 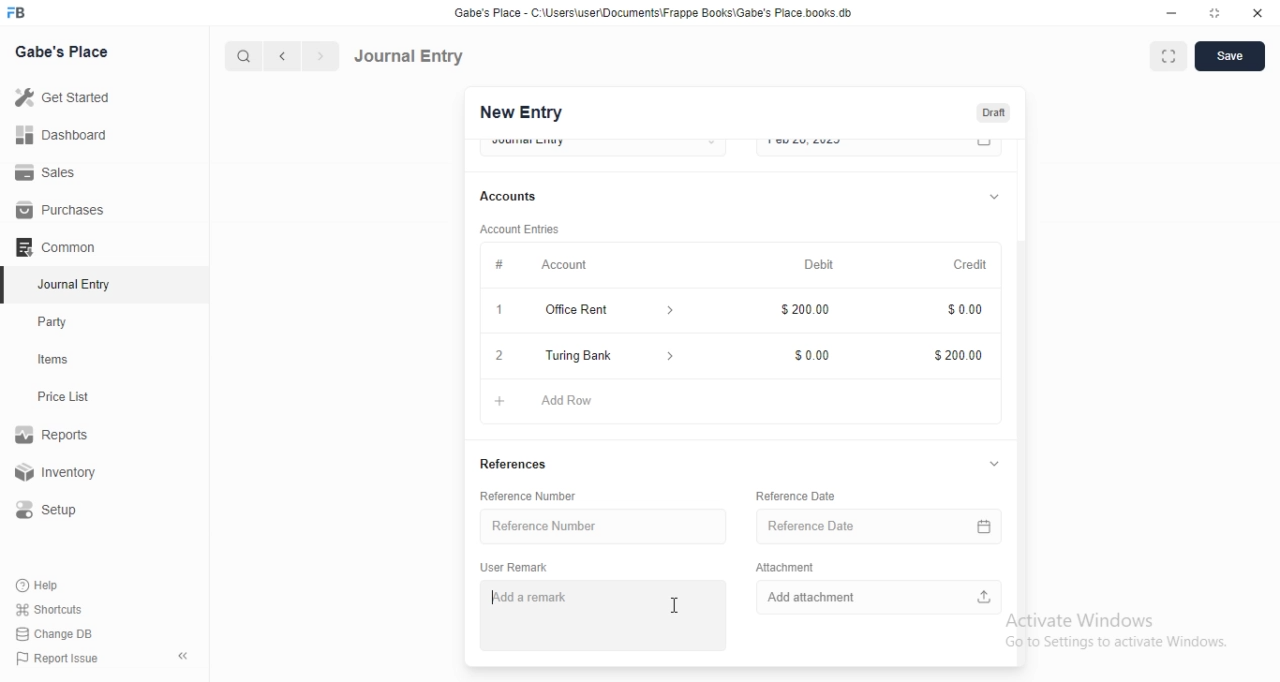 What do you see at coordinates (1226, 58) in the screenshot?
I see `save` at bounding box center [1226, 58].